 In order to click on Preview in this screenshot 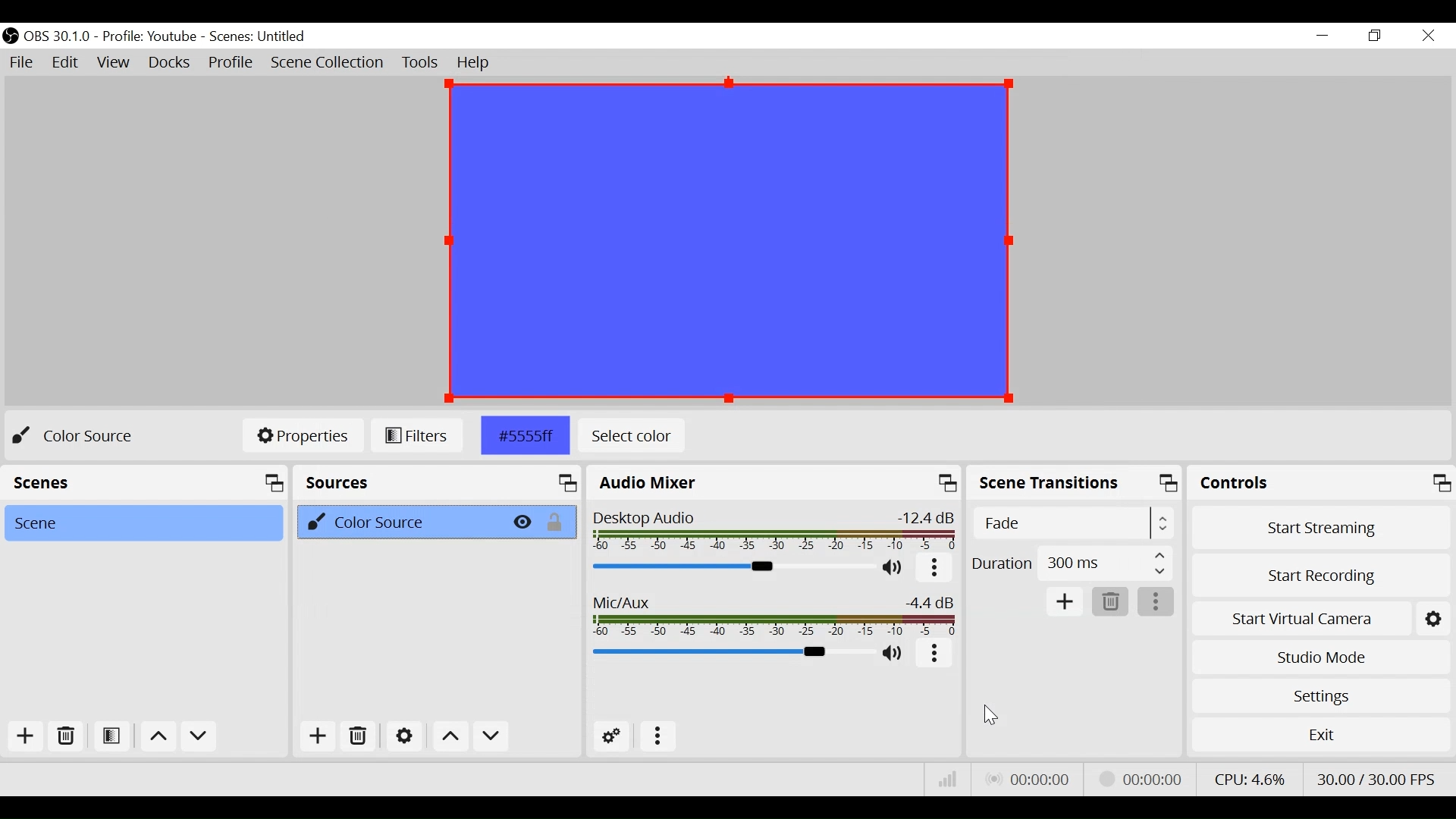, I will do `click(729, 240)`.